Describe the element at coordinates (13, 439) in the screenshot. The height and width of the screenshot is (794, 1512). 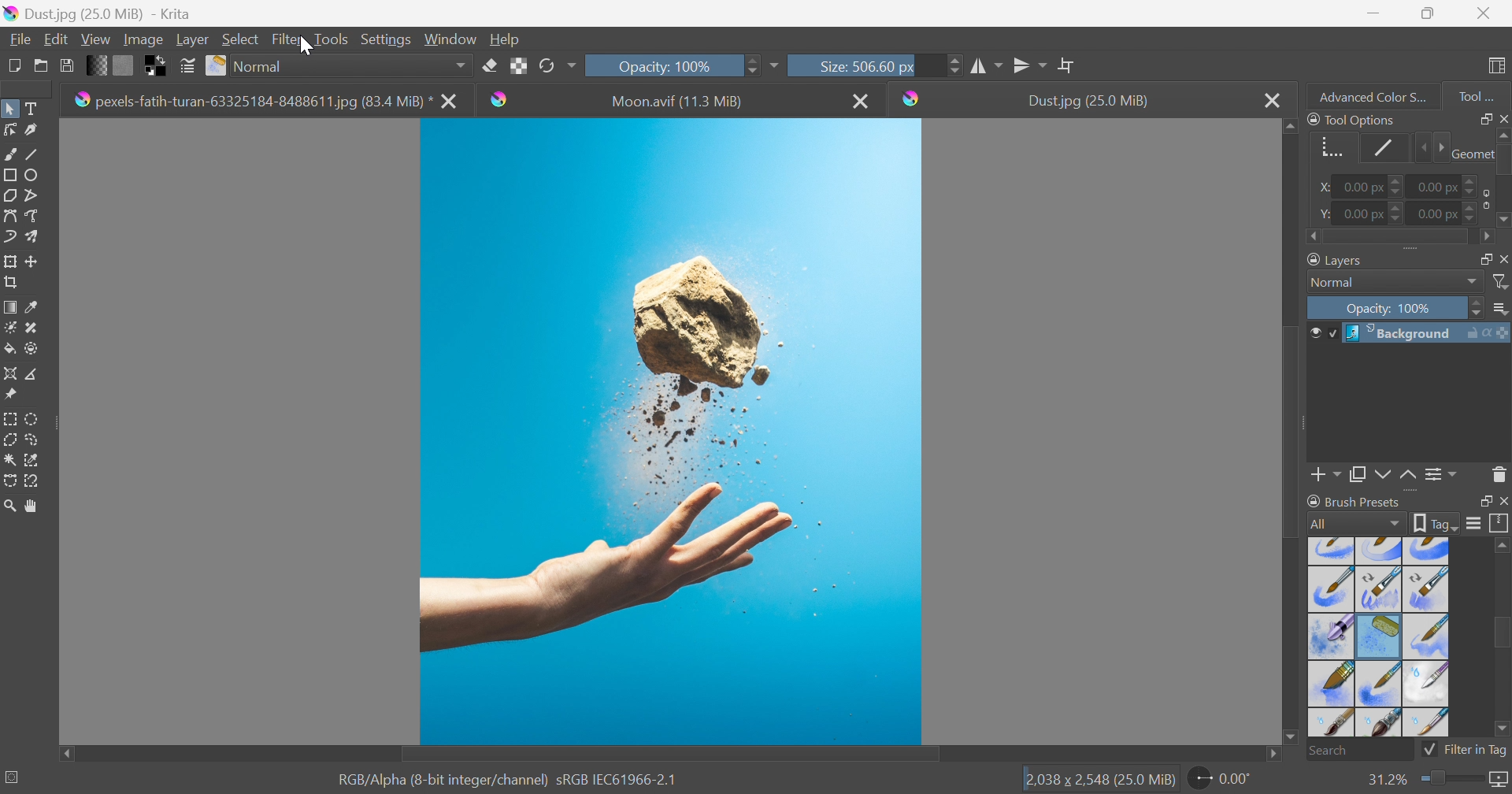
I see `Polygon selection tool` at that location.